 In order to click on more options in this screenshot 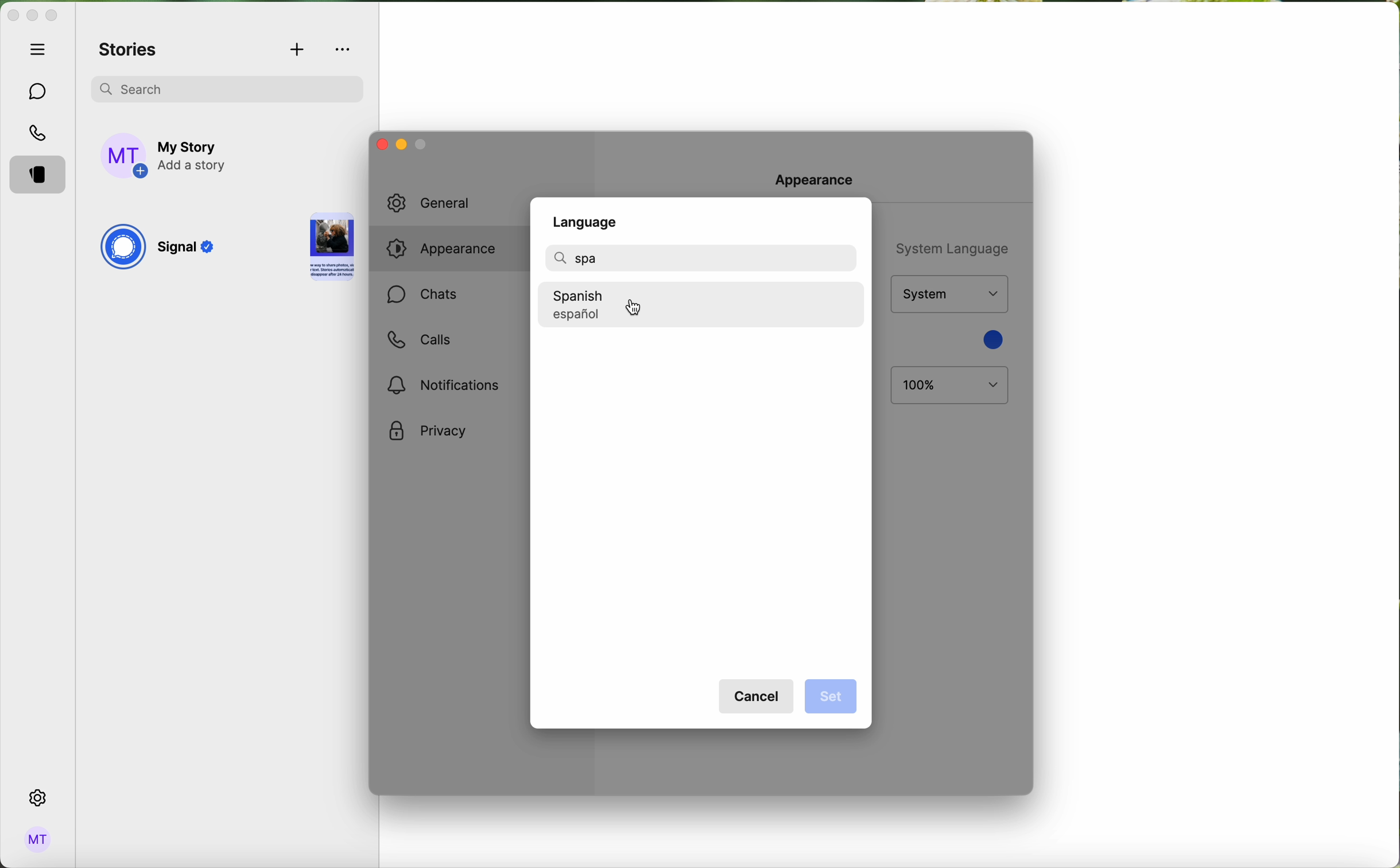, I will do `click(344, 49)`.